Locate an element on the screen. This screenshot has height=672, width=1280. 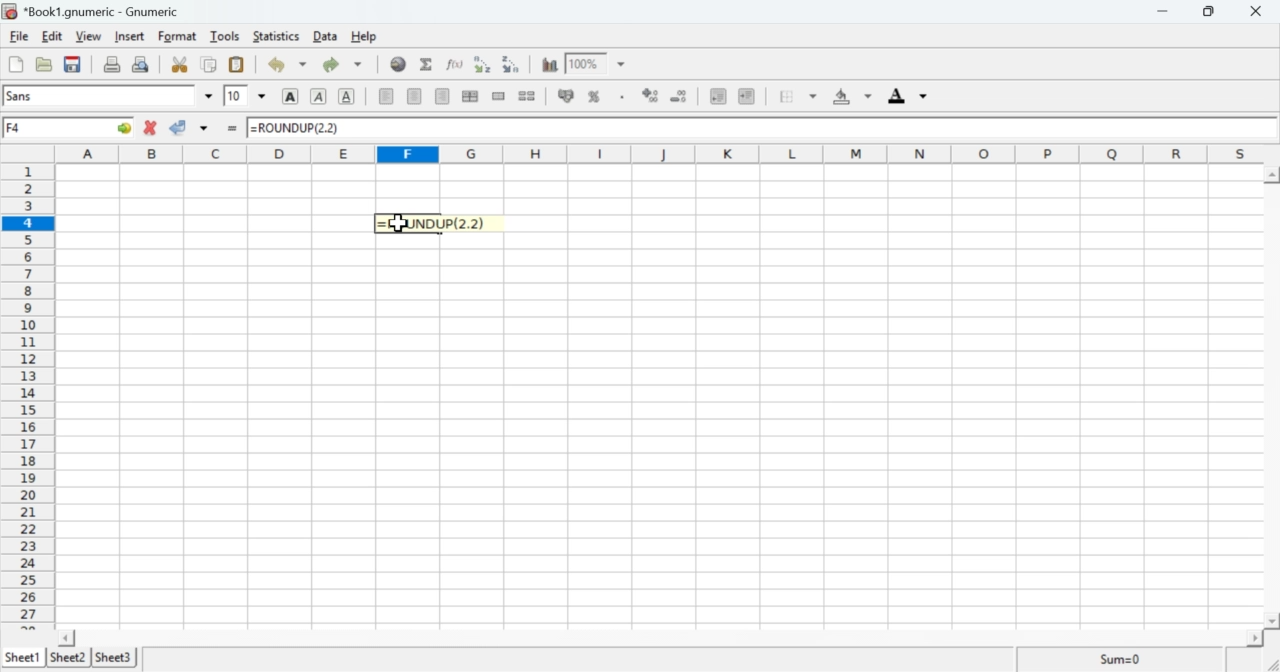
Foreground is located at coordinates (904, 95).